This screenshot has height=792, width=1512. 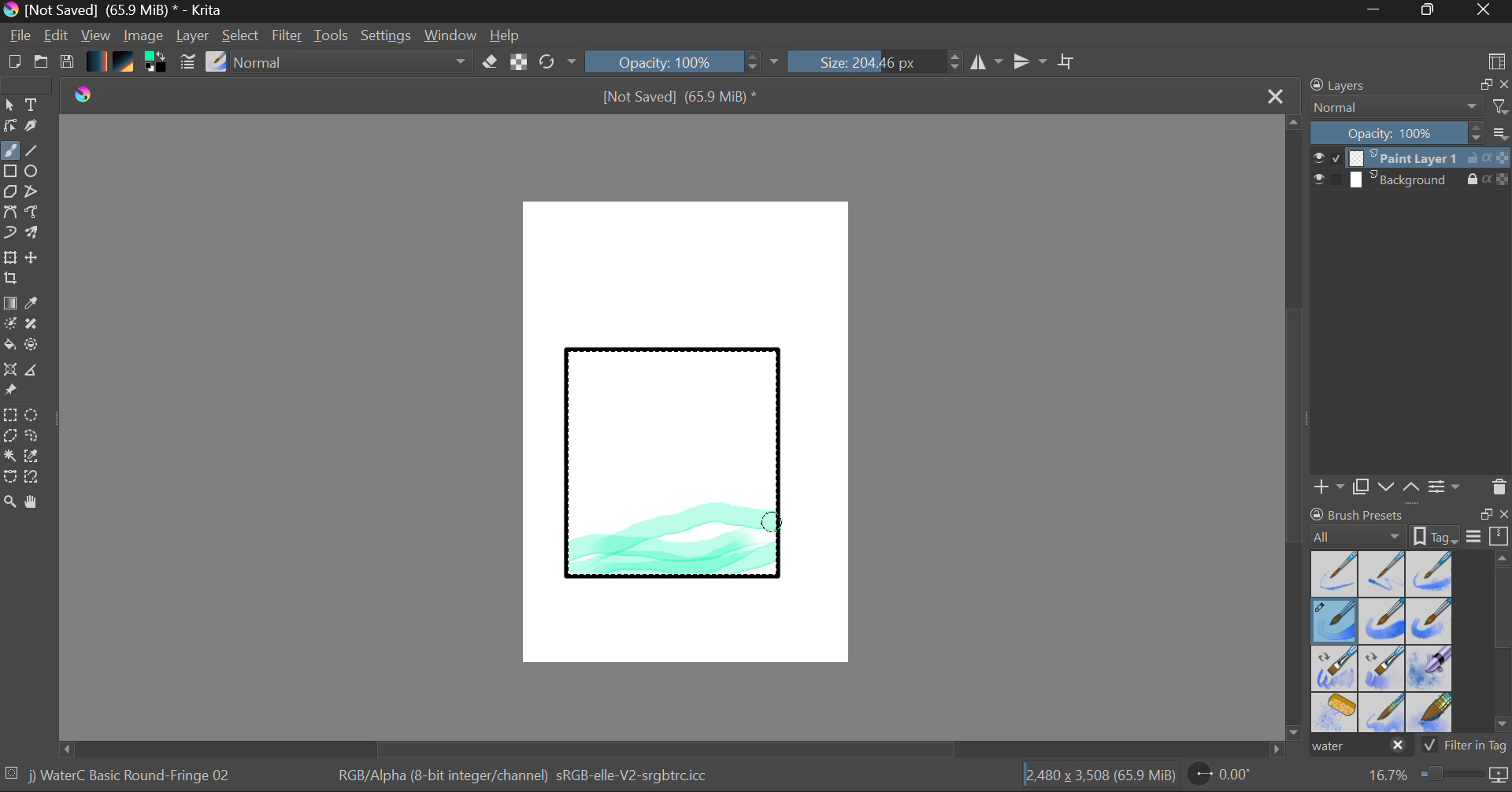 I want to click on "water" search in brush presets, so click(x=1359, y=749).